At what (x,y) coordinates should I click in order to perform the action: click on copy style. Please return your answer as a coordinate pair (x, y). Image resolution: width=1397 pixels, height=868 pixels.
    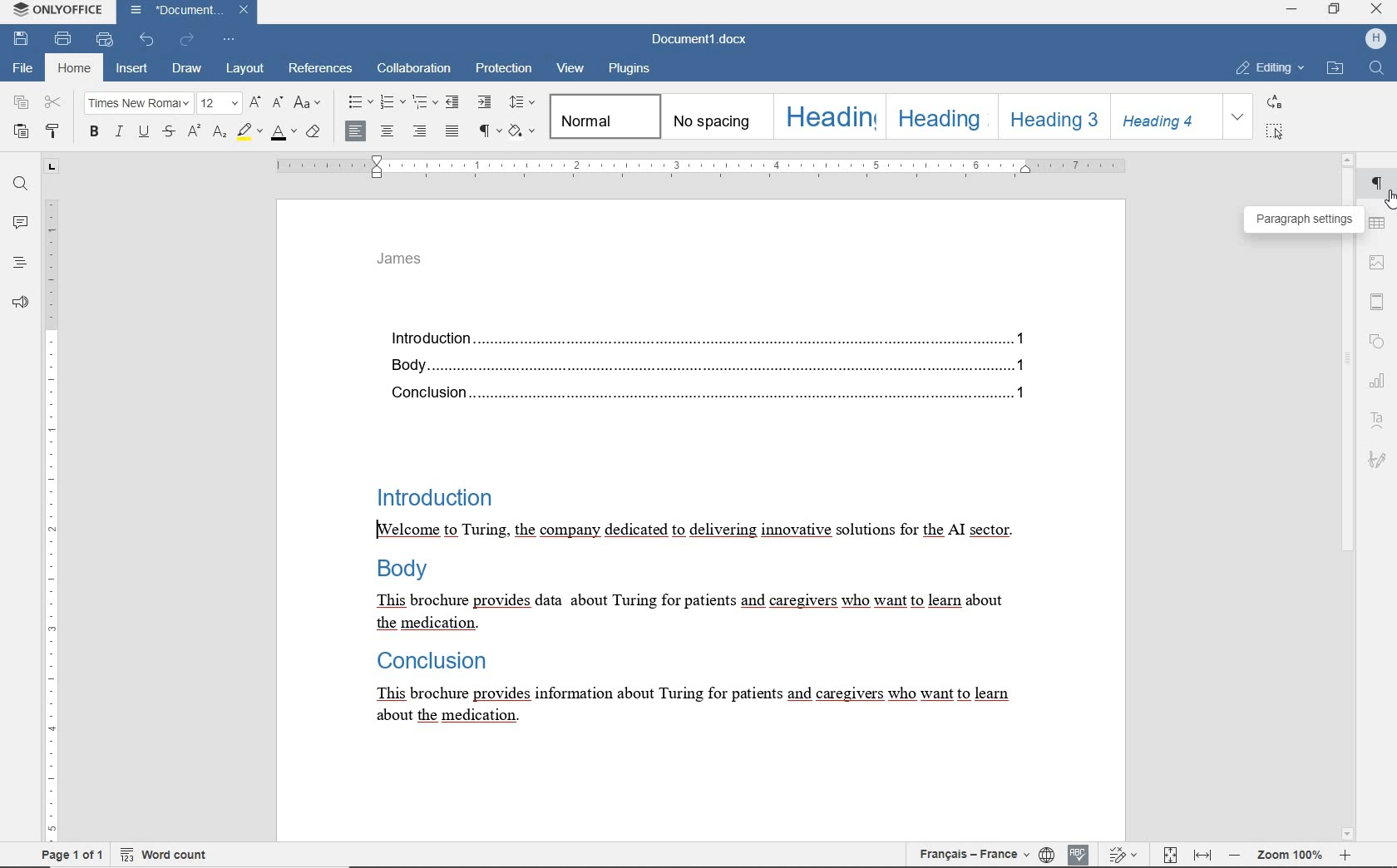
    Looking at the image, I should click on (52, 131).